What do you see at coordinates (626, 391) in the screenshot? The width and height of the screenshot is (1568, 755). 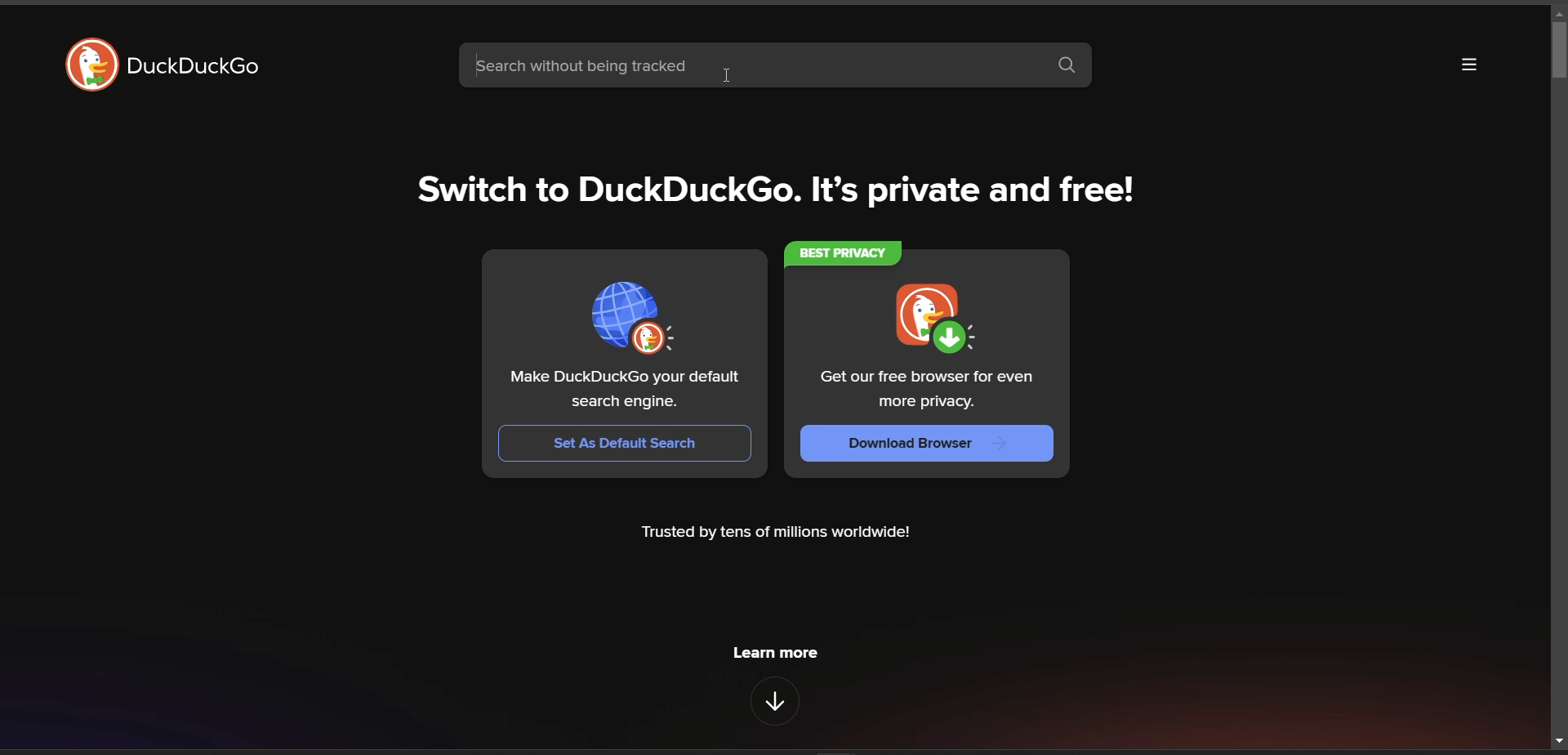 I see `Make DuckDuckGo your default search engine.` at bounding box center [626, 391].